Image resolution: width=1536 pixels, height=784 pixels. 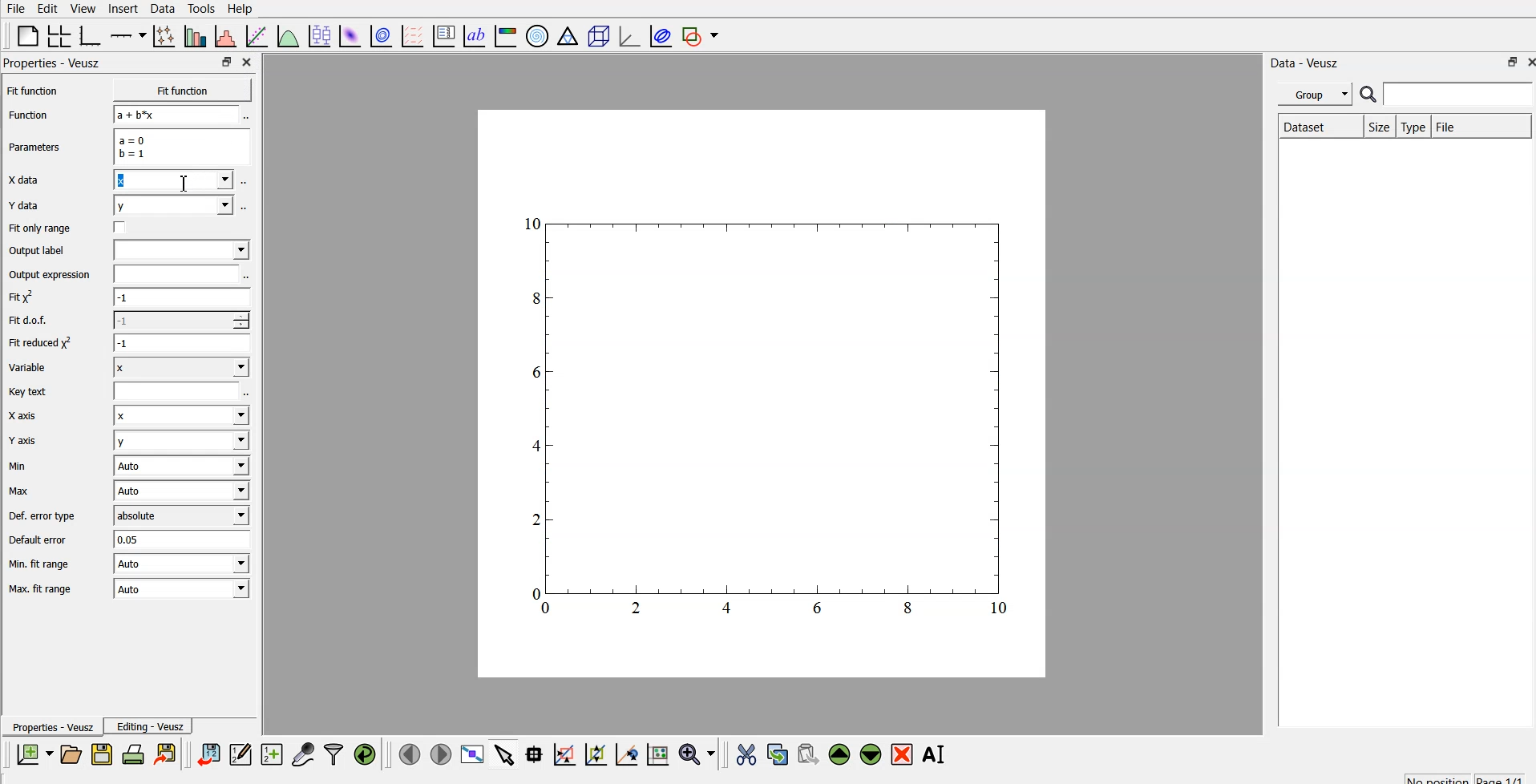 What do you see at coordinates (39, 464) in the screenshot?
I see `Min` at bounding box center [39, 464].